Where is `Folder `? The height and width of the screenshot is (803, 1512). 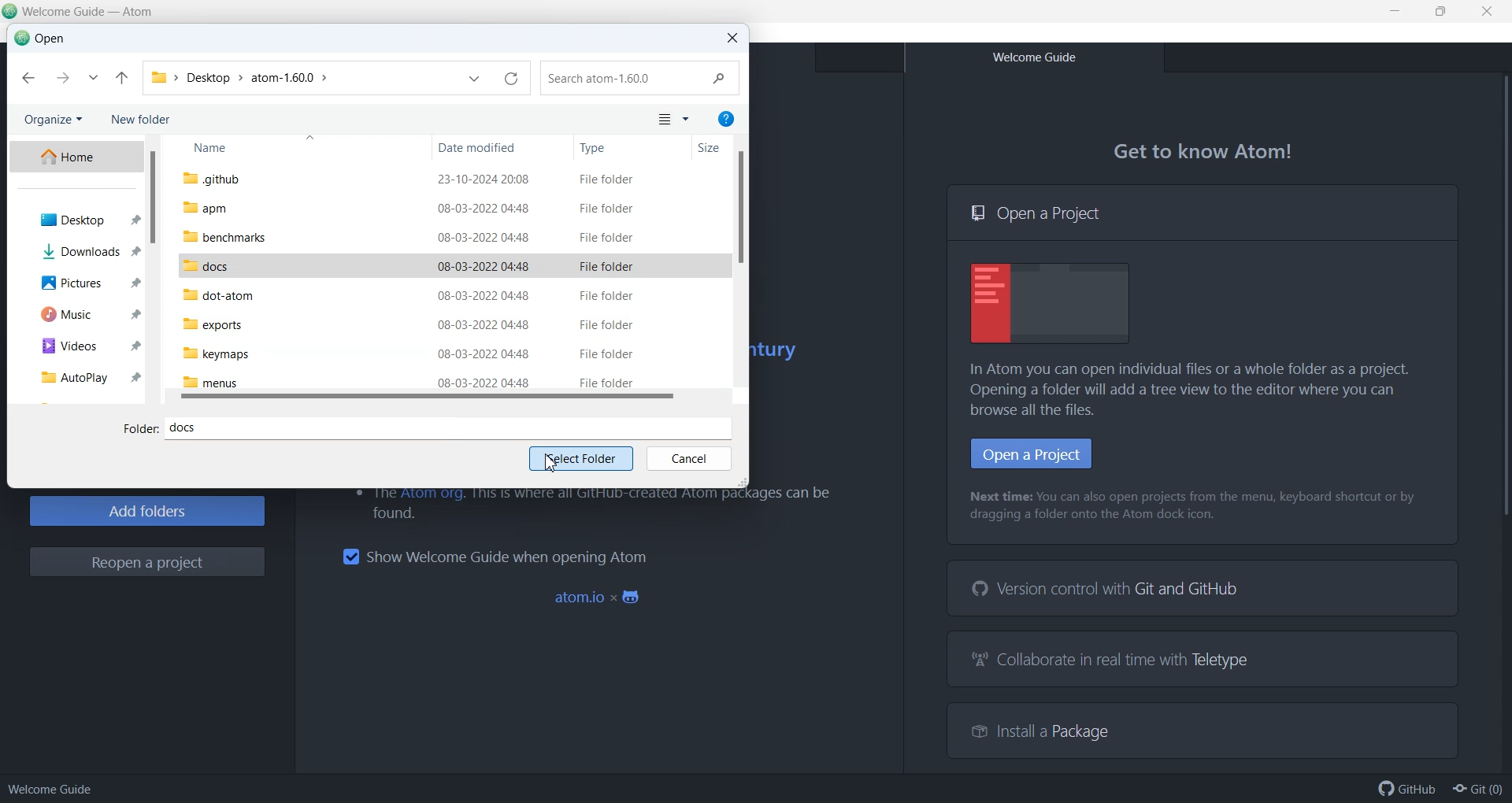 Folder  is located at coordinates (139, 430).